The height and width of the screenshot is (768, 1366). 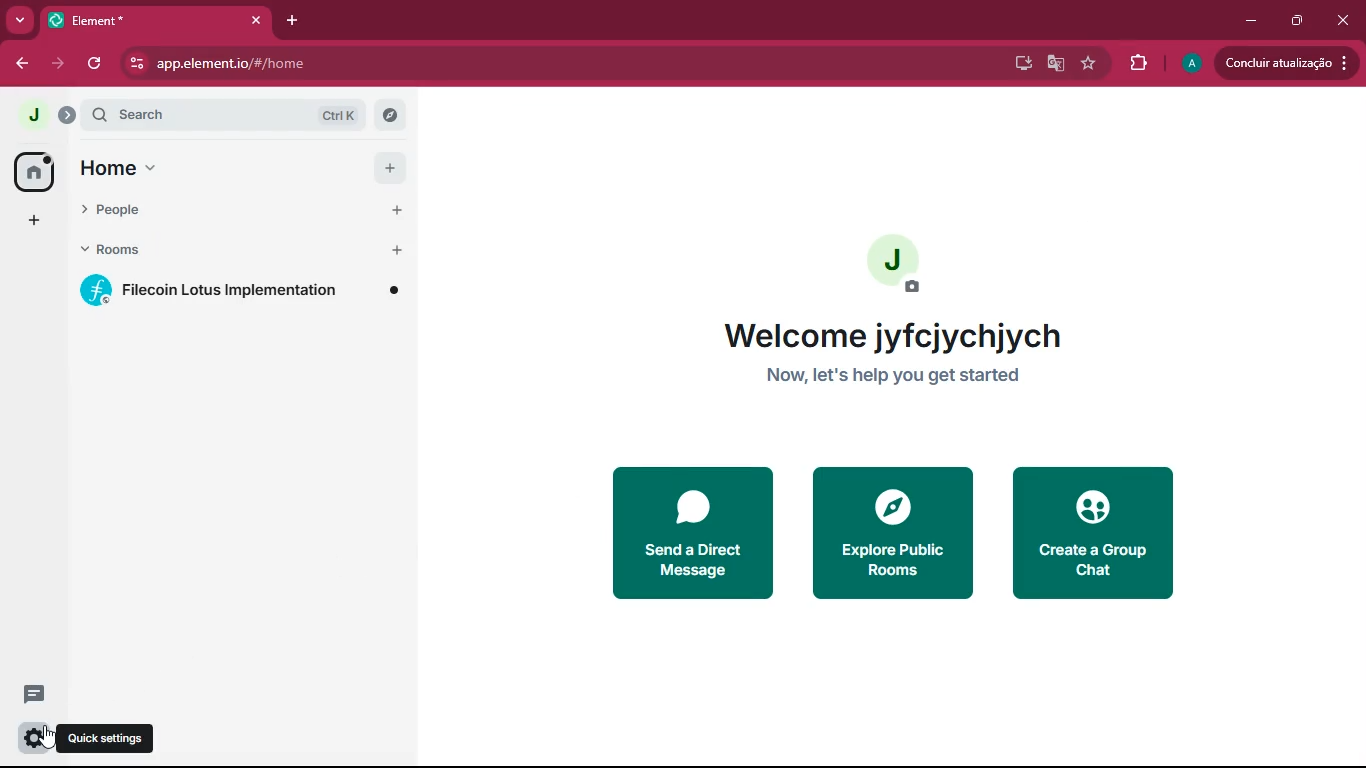 What do you see at coordinates (23, 64) in the screenshot?
I see `back` at bounding box center [23, 64].